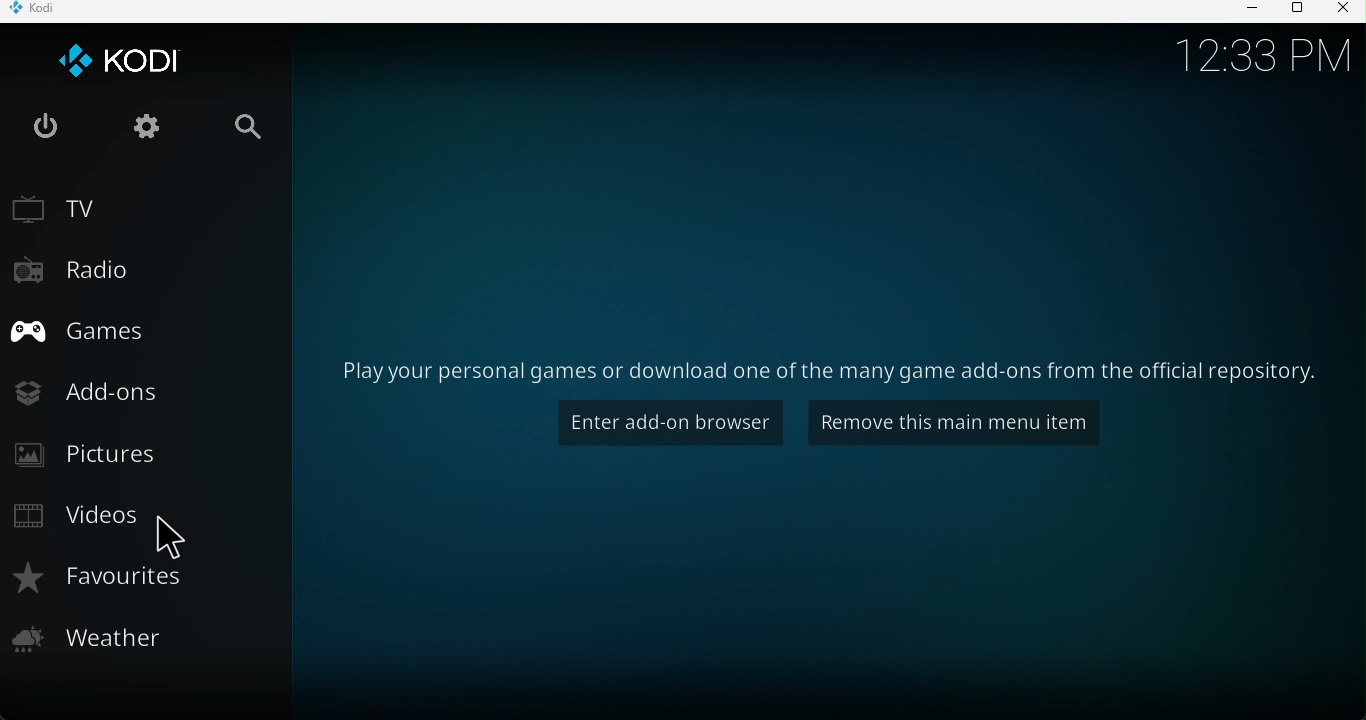  Describe the element at coordinates (121, 65) in the screenshot. I see `KODI icon` at that location.